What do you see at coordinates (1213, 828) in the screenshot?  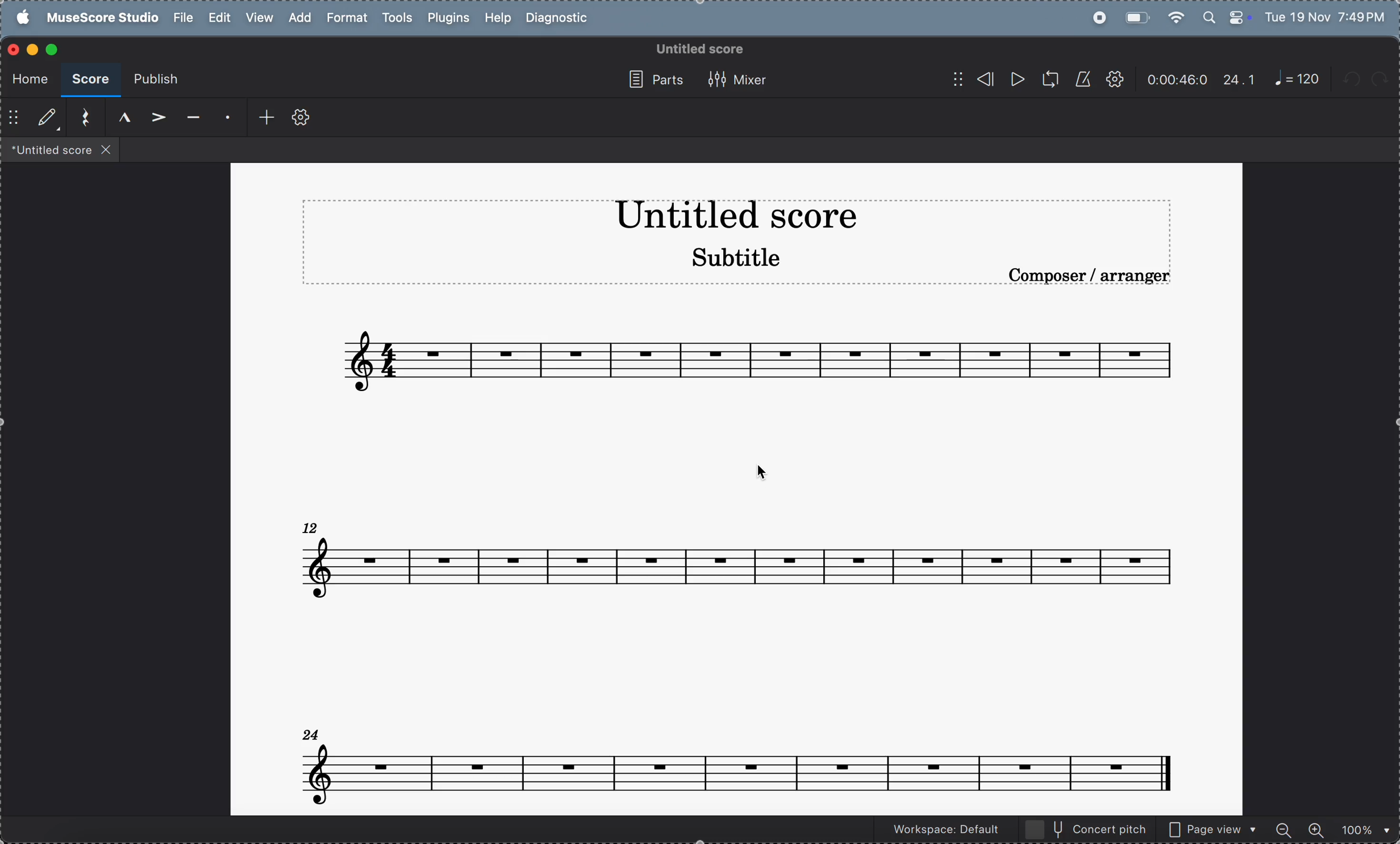 I see `page view` at bounding box center [1213, 828].